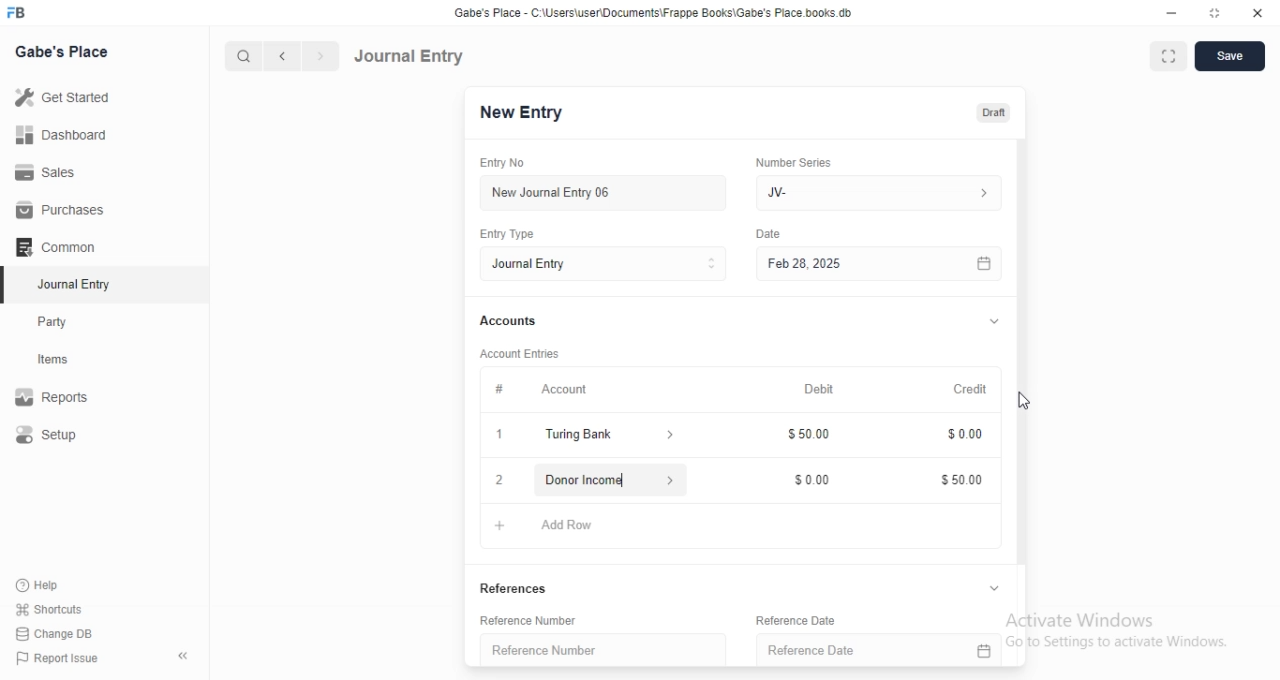 The height and width of the screenshot is (680, 1280). Describe the element at coordinates (410, 55) in the screenshot. I see `Journal Entry` at that location.